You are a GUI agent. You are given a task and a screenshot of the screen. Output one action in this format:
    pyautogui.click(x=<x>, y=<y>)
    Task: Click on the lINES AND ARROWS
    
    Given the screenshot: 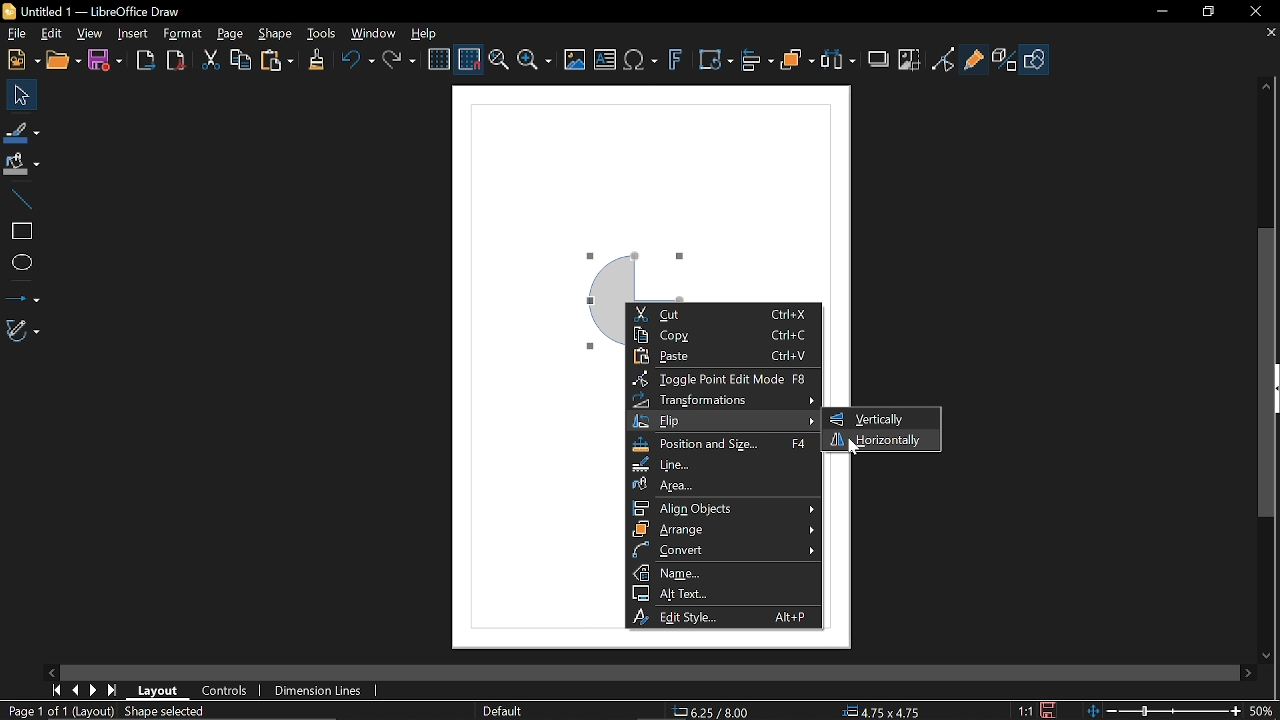 What is the action you would take?
    pyautogui.click(x=22, y=294)
    